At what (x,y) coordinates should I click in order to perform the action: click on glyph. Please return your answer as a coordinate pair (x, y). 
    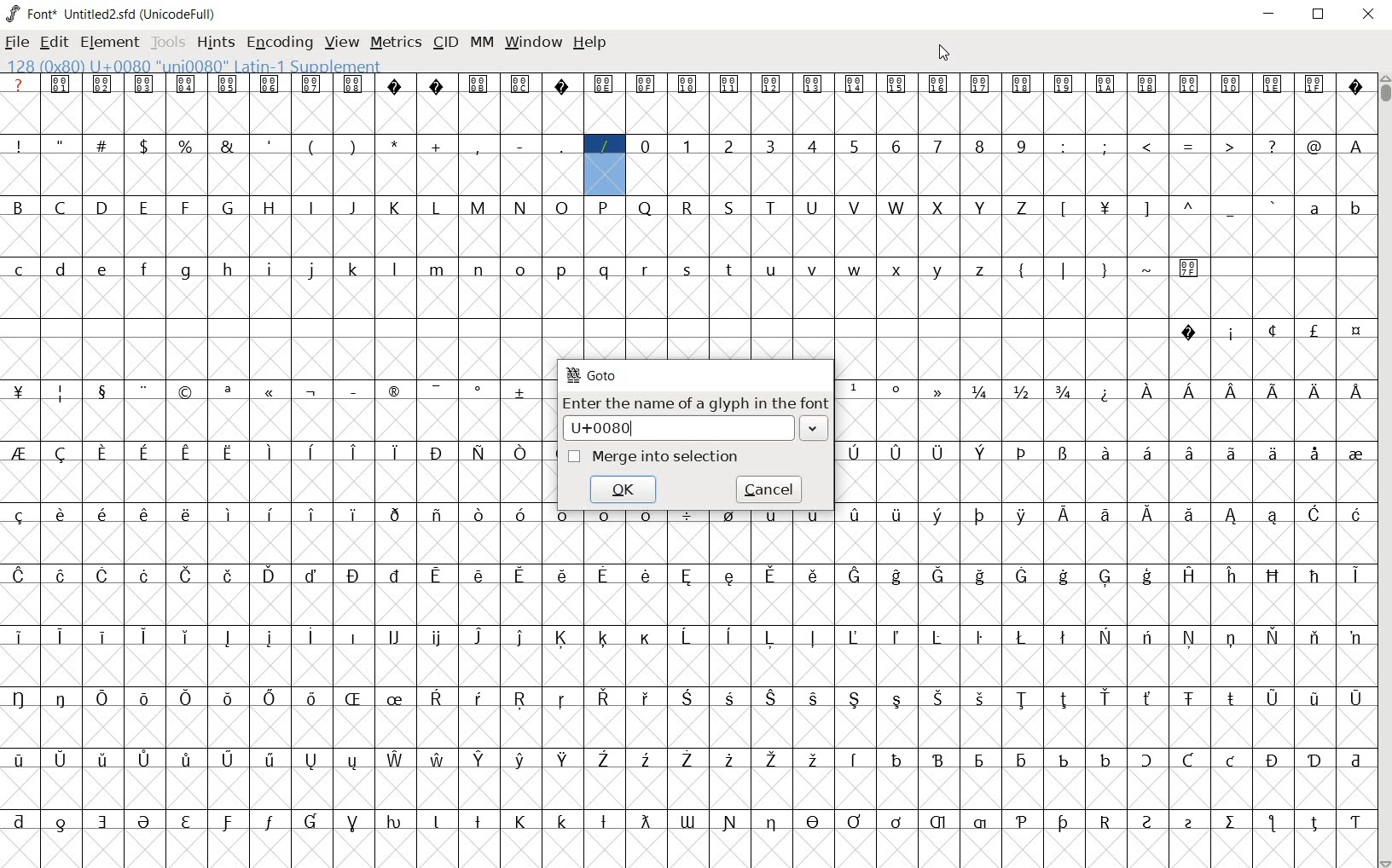
    Looking at the image, I should click on (19, 146).